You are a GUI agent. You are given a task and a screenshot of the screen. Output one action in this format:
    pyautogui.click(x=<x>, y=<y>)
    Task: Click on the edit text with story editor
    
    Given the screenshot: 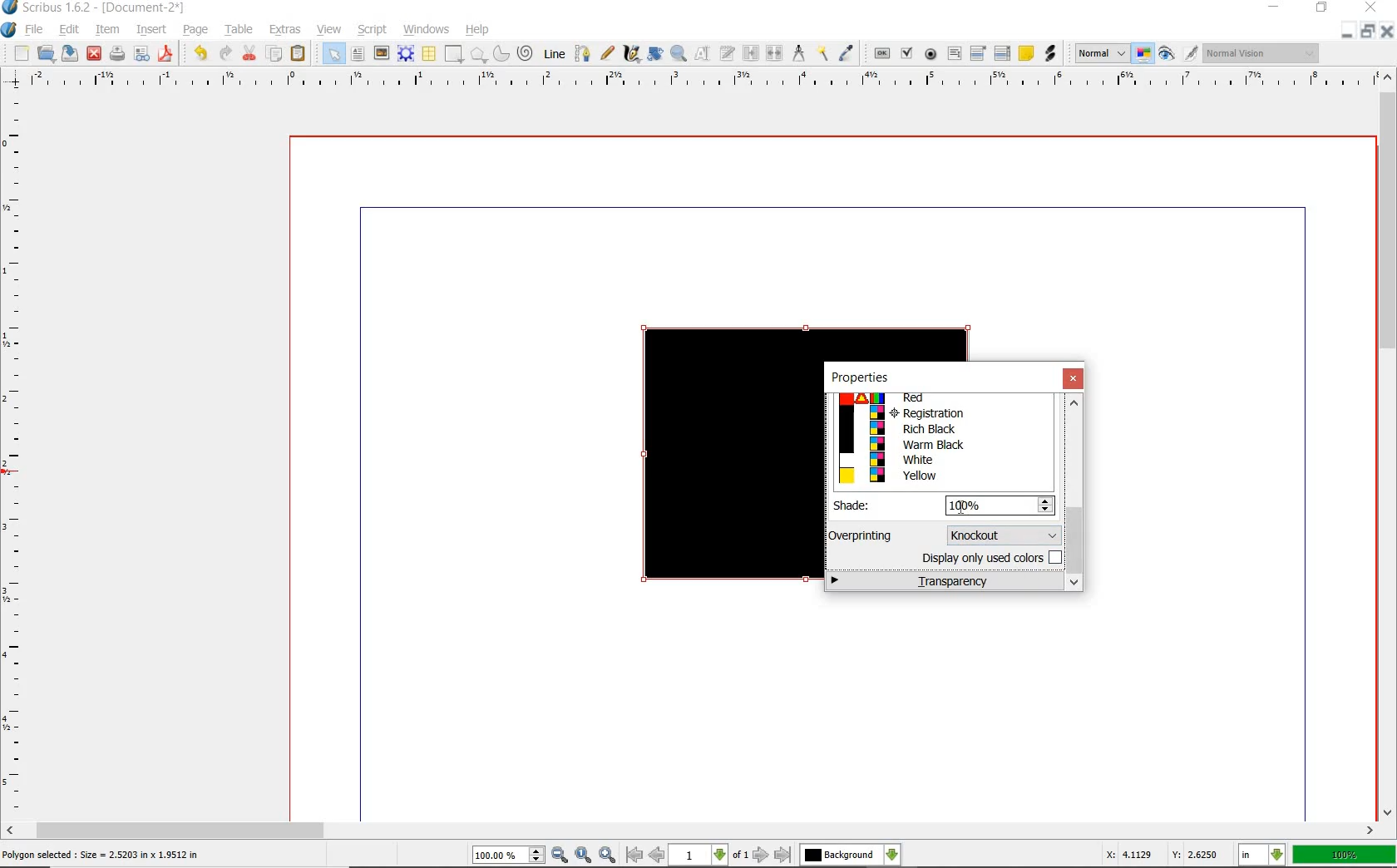 What is the action you would take?
    pyautogui.click(x=727, y=55)
    